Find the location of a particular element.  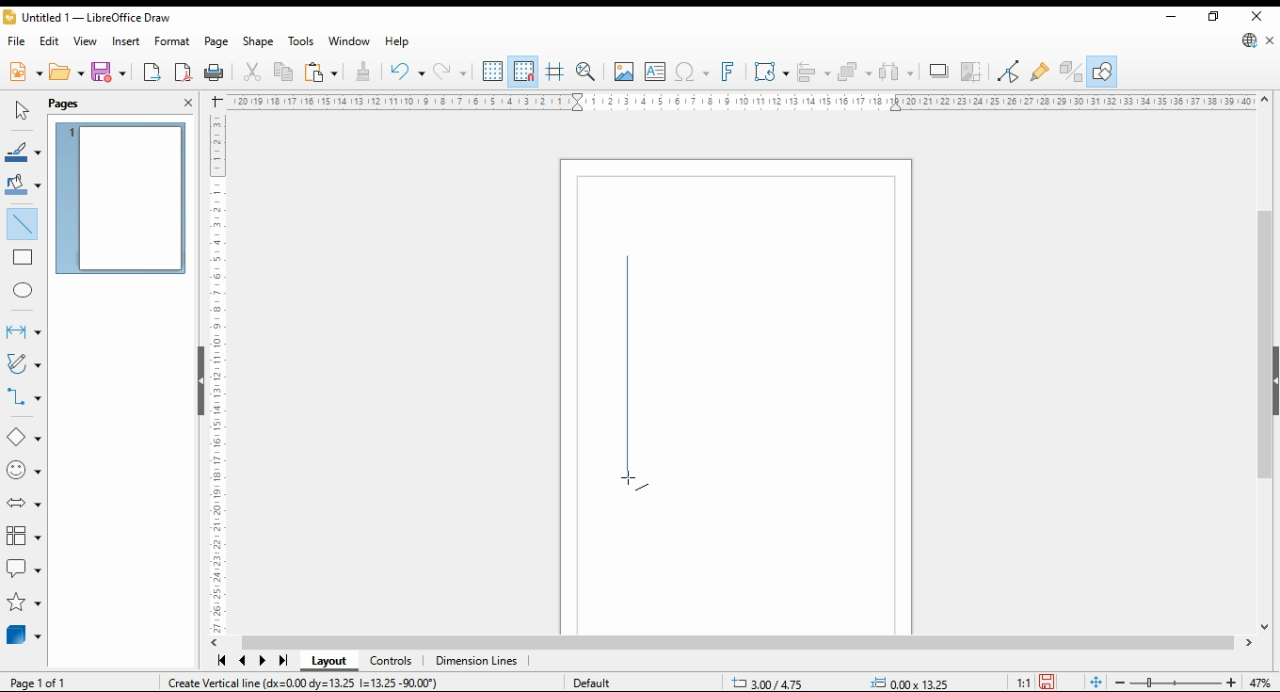

default is located at coordinates (599, 680).